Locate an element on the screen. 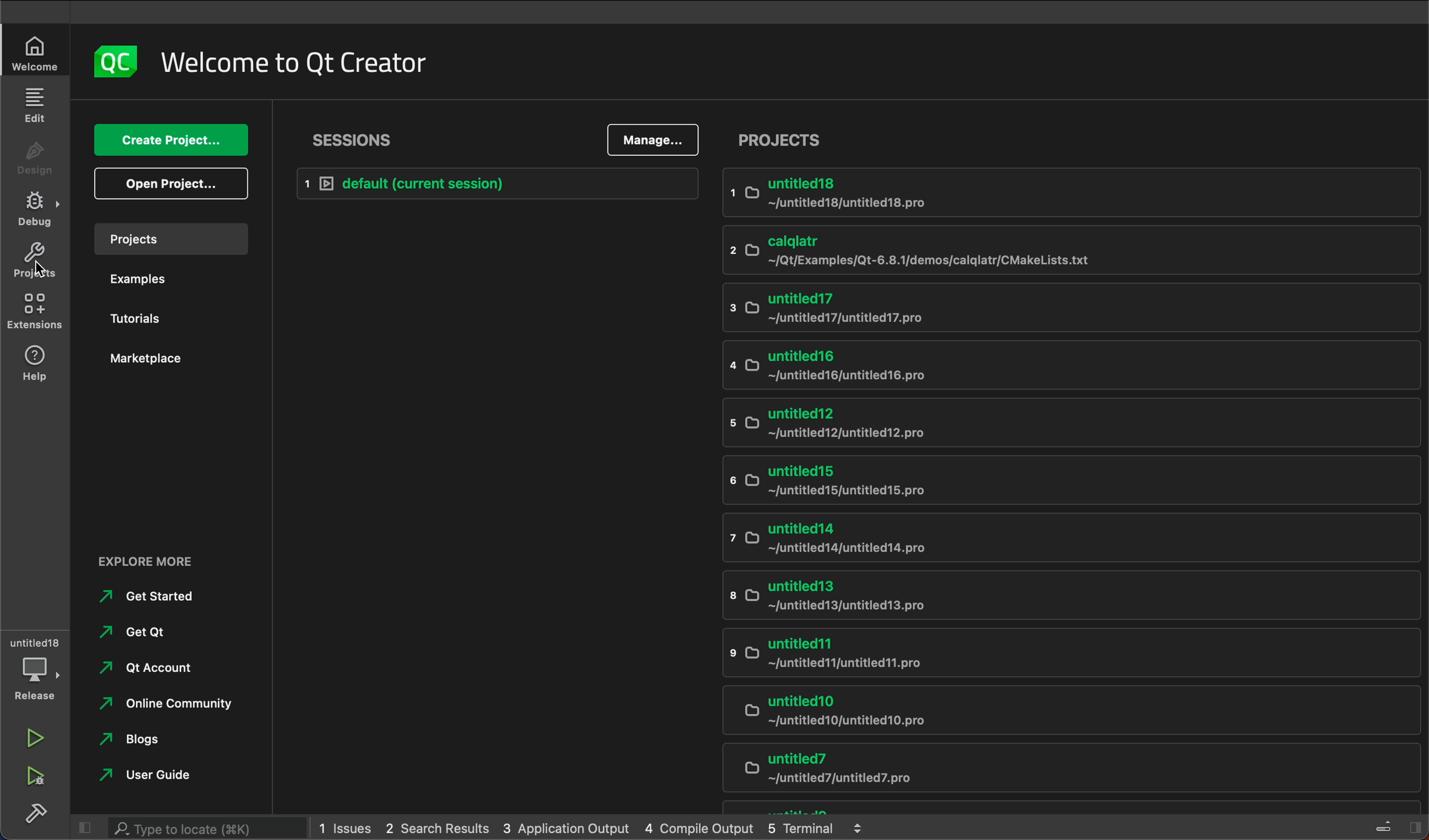 The image size is (1429, 840). close sidebar is located at coordinates (1387, 824).